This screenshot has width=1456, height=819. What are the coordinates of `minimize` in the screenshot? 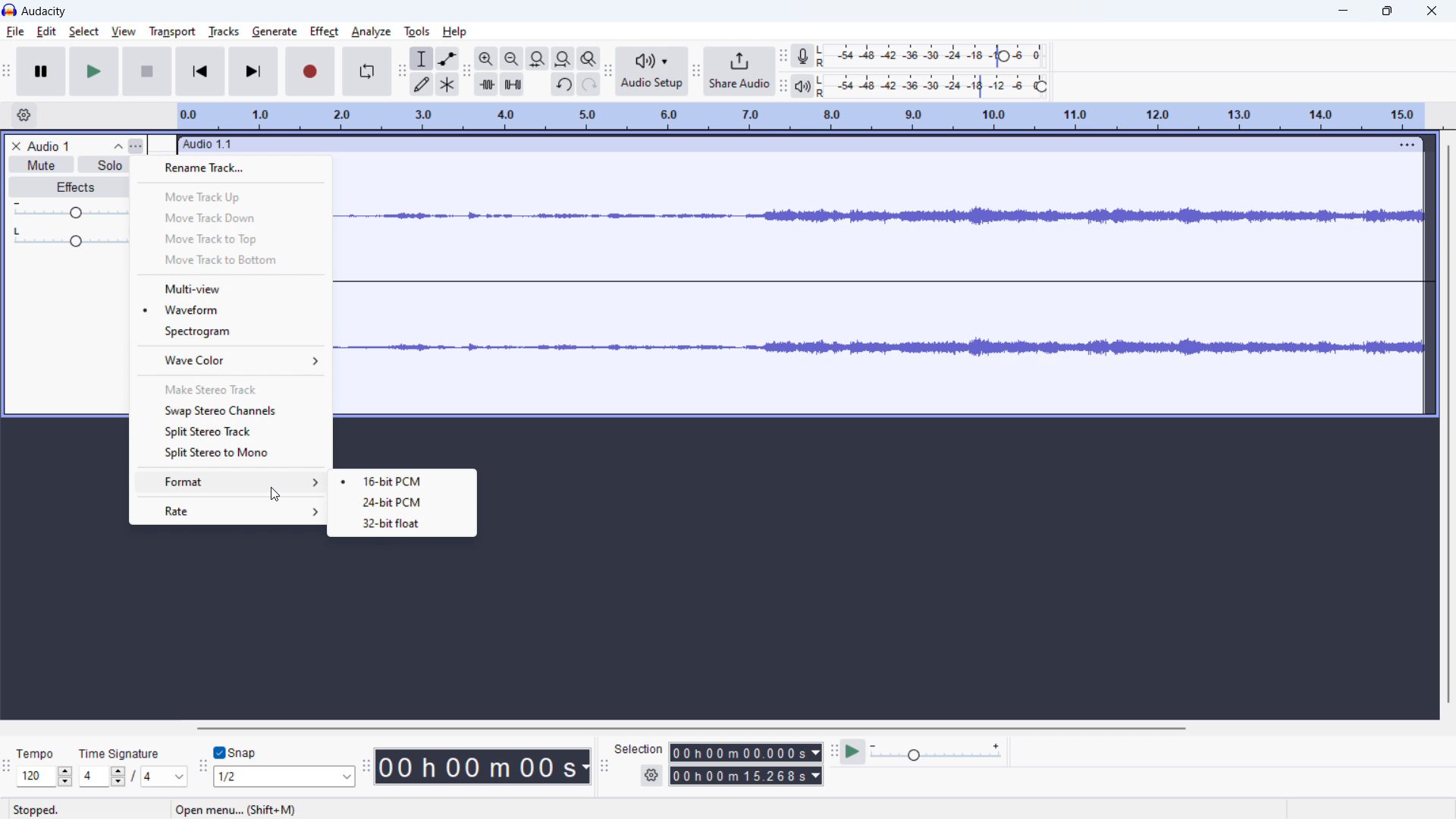 It's located at (1342, 11).